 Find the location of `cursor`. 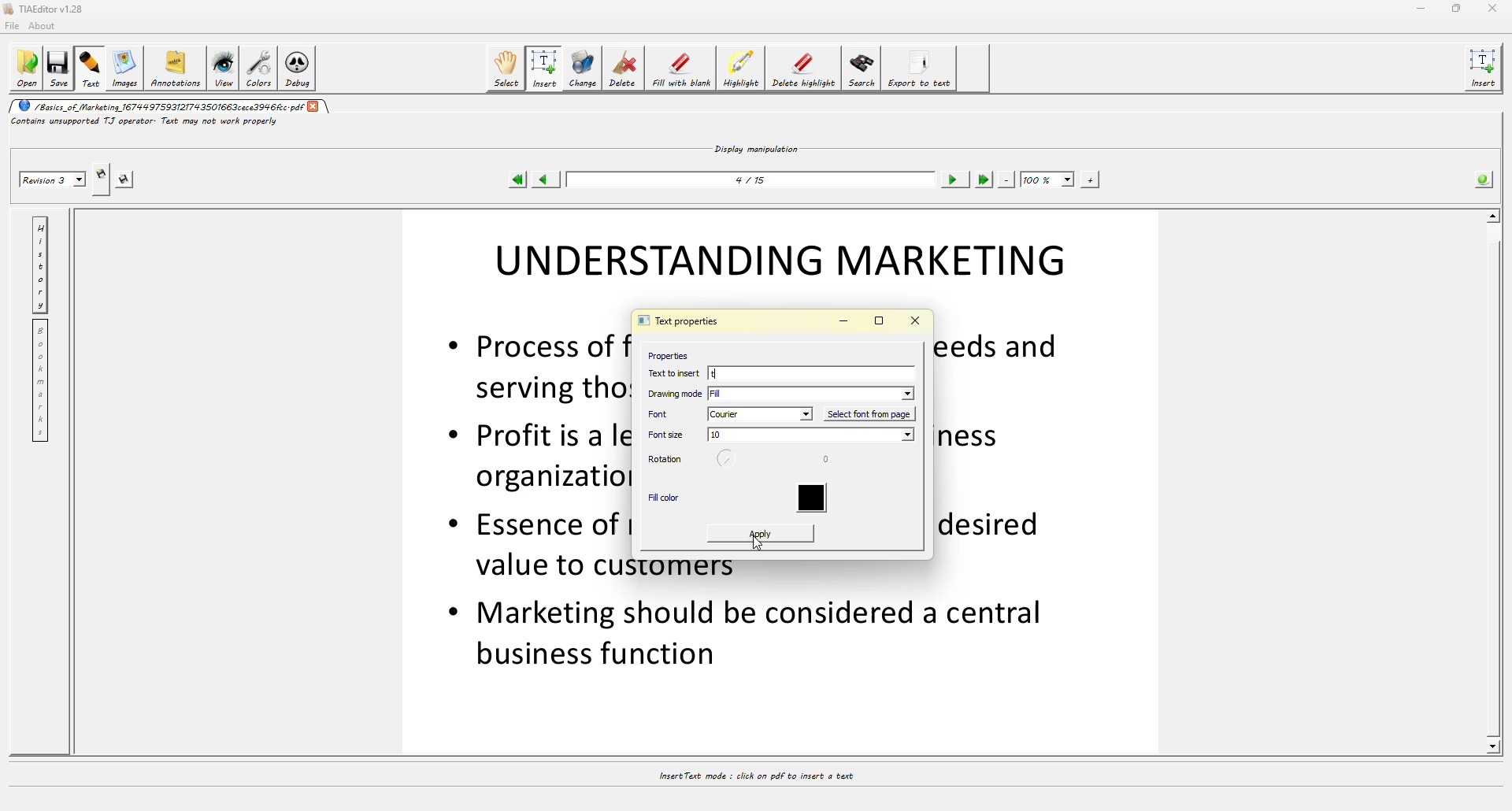

cursor is located at coordinates (761, 546).